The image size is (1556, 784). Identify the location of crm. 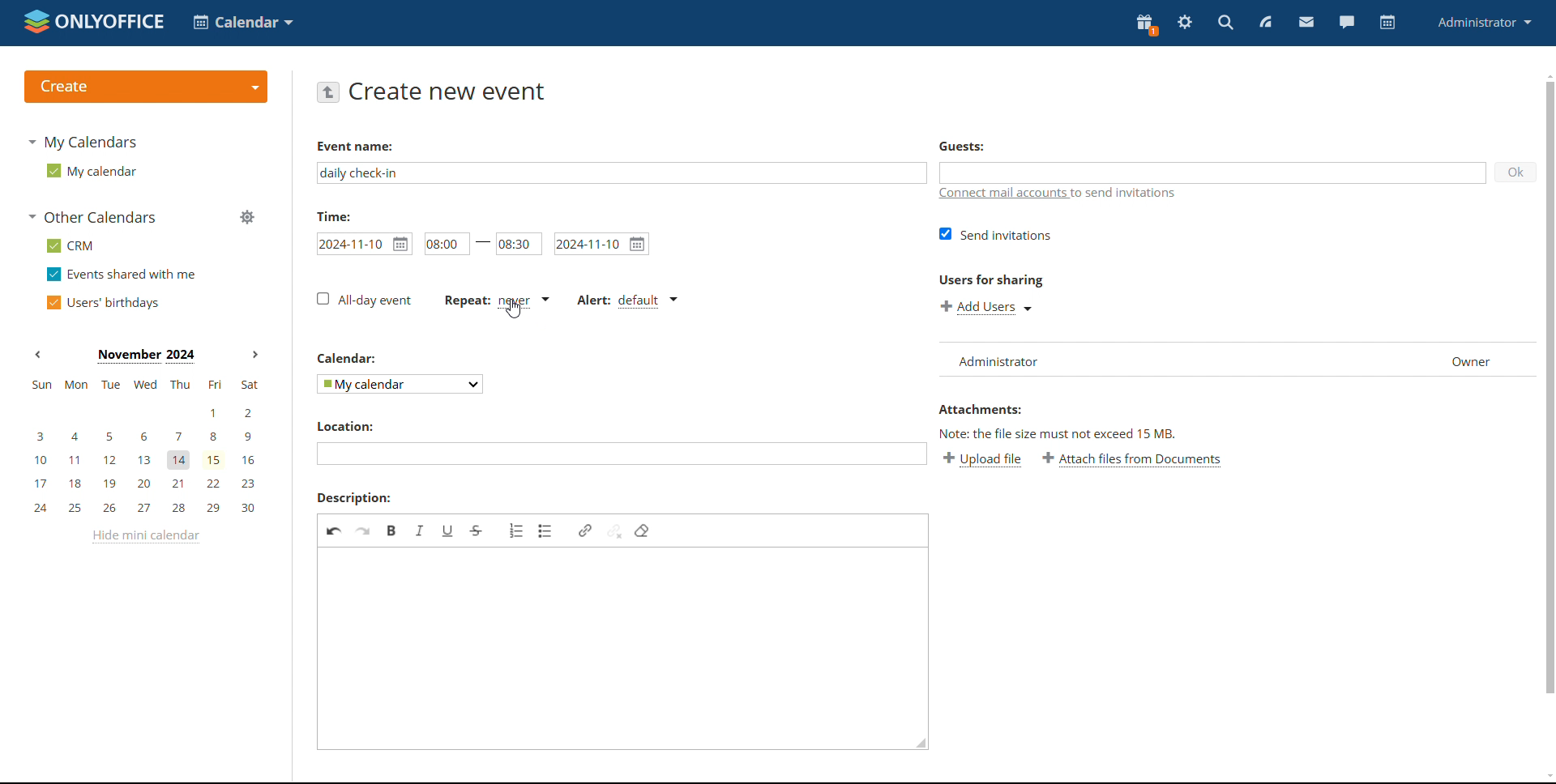
(67, 245).